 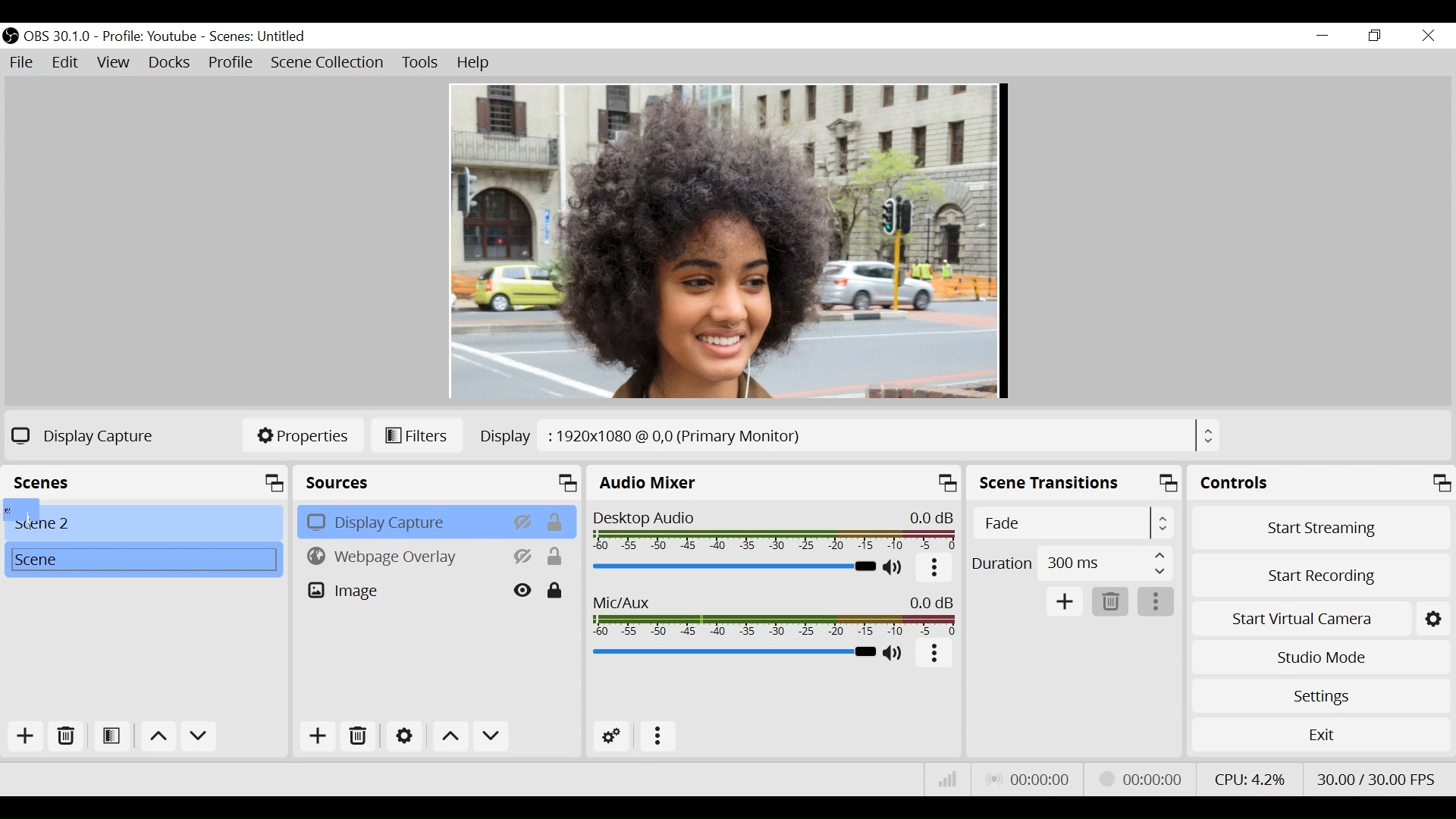 I want to click on (un)lock, so click(x=556, y=590).